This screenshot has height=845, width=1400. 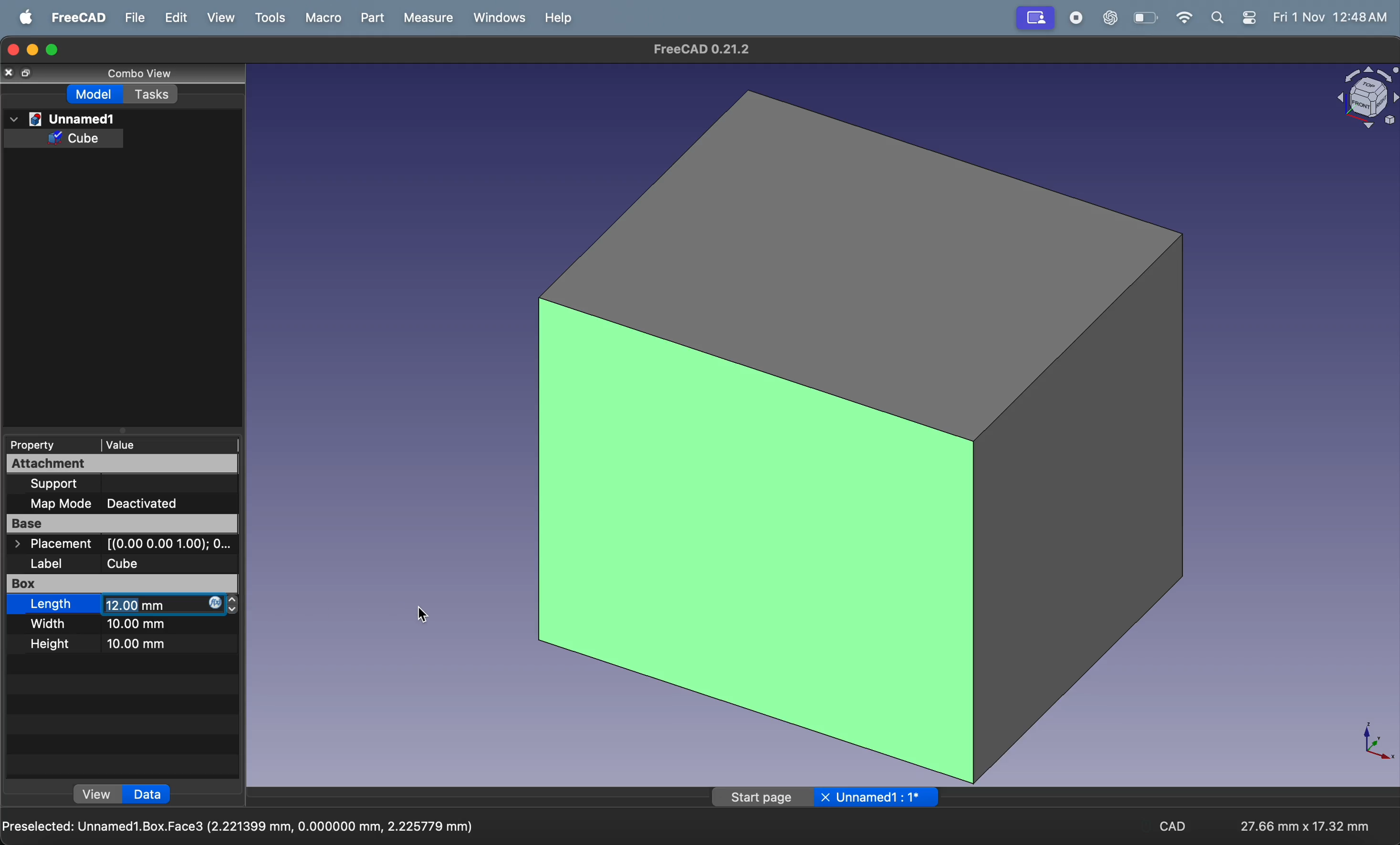 What do you see at coordinates (236, 605) in the screenshot?
I see `increase or decrease` at bounding box center [236, 605].